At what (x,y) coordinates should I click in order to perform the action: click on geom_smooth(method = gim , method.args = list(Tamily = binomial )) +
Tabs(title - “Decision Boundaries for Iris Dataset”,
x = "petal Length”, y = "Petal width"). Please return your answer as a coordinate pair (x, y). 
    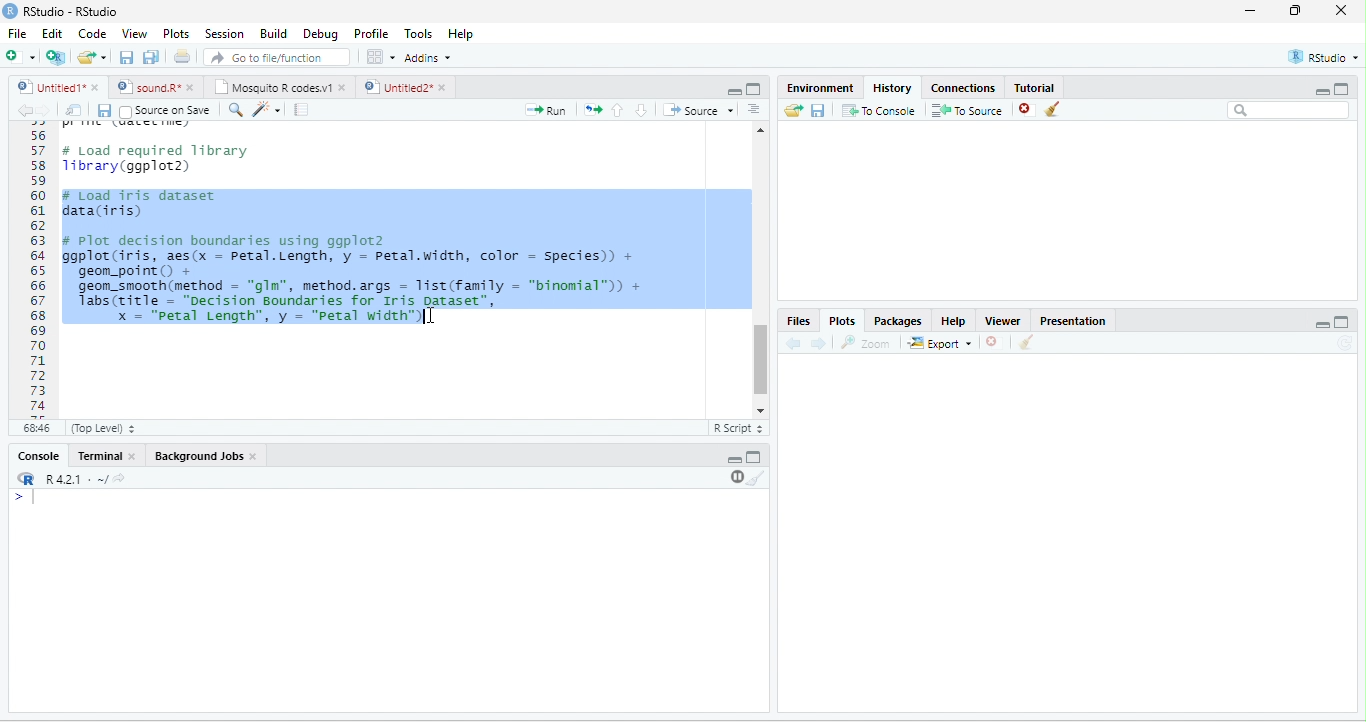
    Looking at the image, I should click on (368, 305).